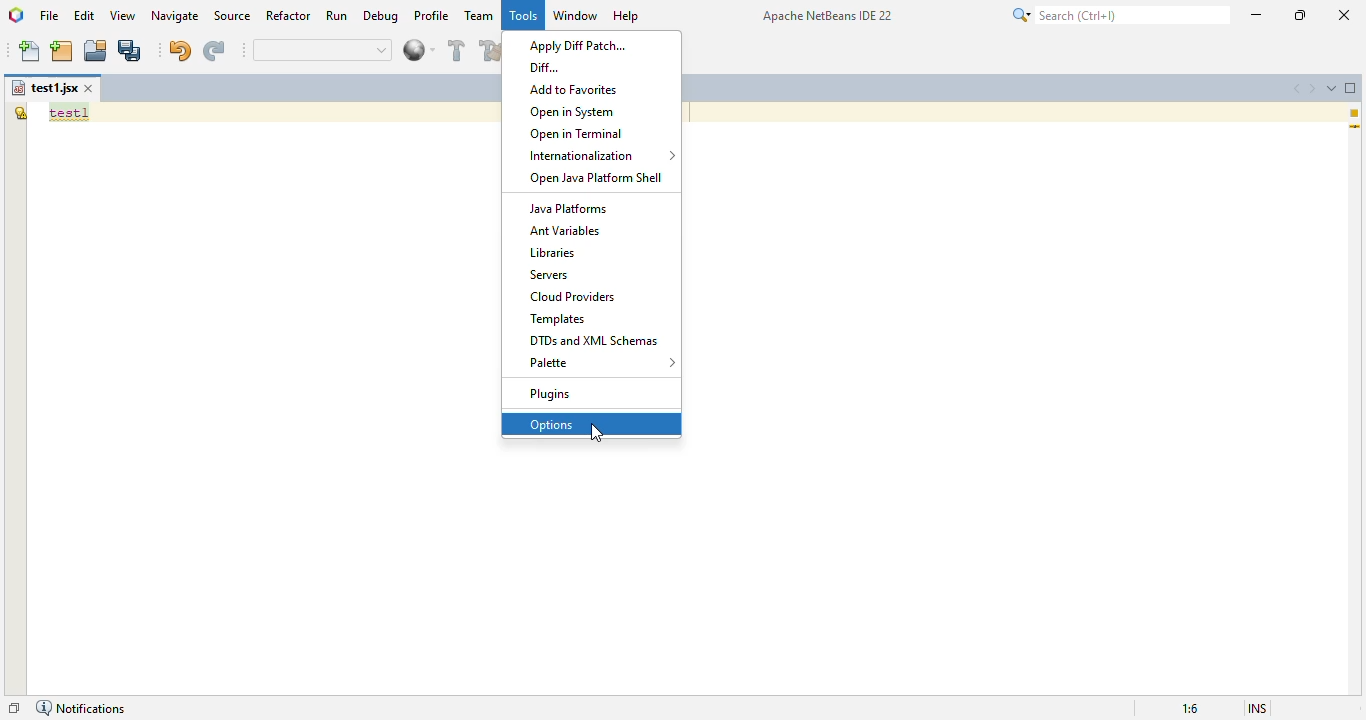 The height and width of the screenshot is (720, 1366). Describe the element at coordinates (626, 16) in the screenshot. I see `help` at that location.